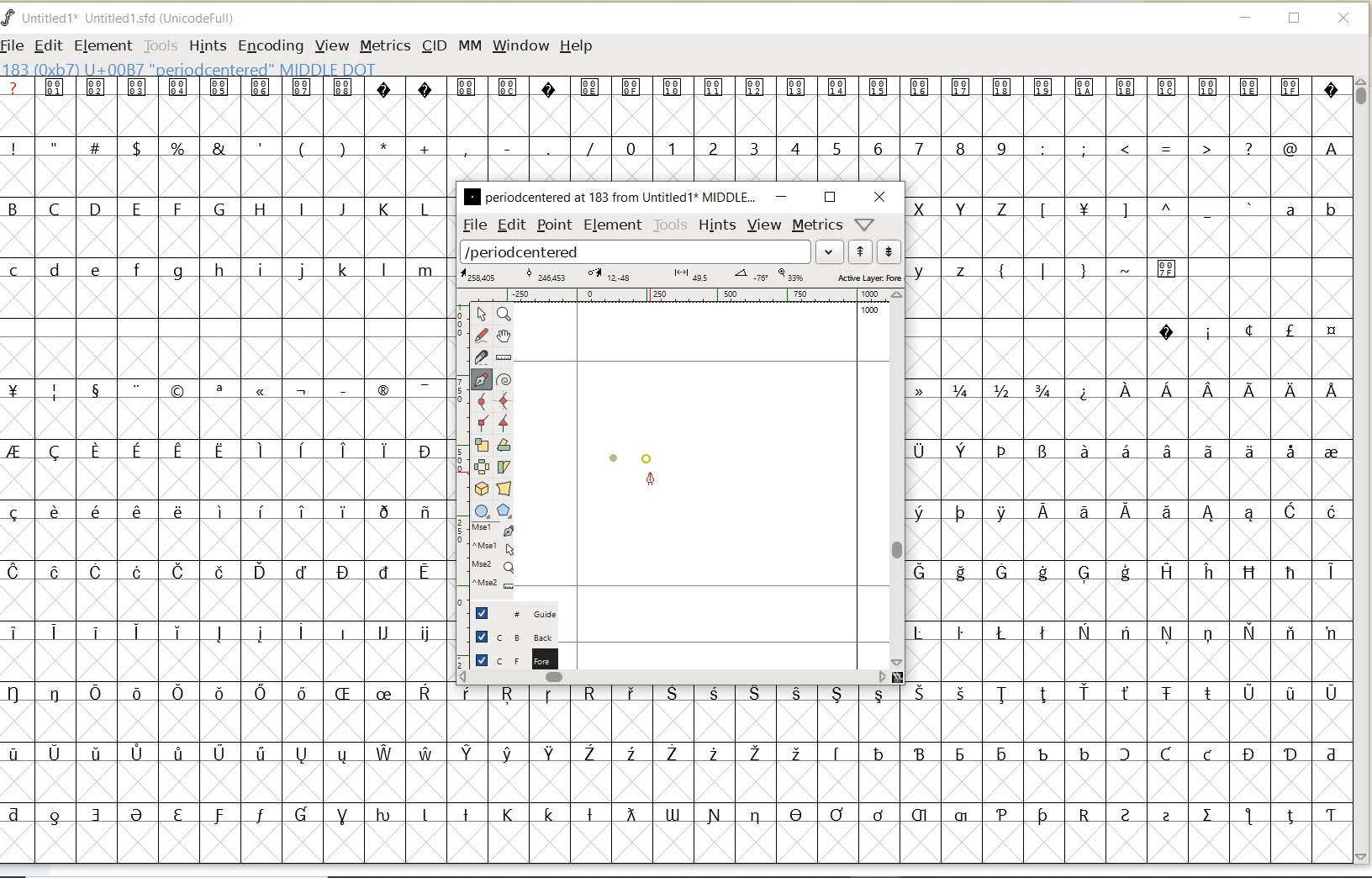 Image resolution: width=1372 pixels, height=878 pixels. Describe the element at coordinates (470, 46) in the screenshot. I see `MM` at that location.